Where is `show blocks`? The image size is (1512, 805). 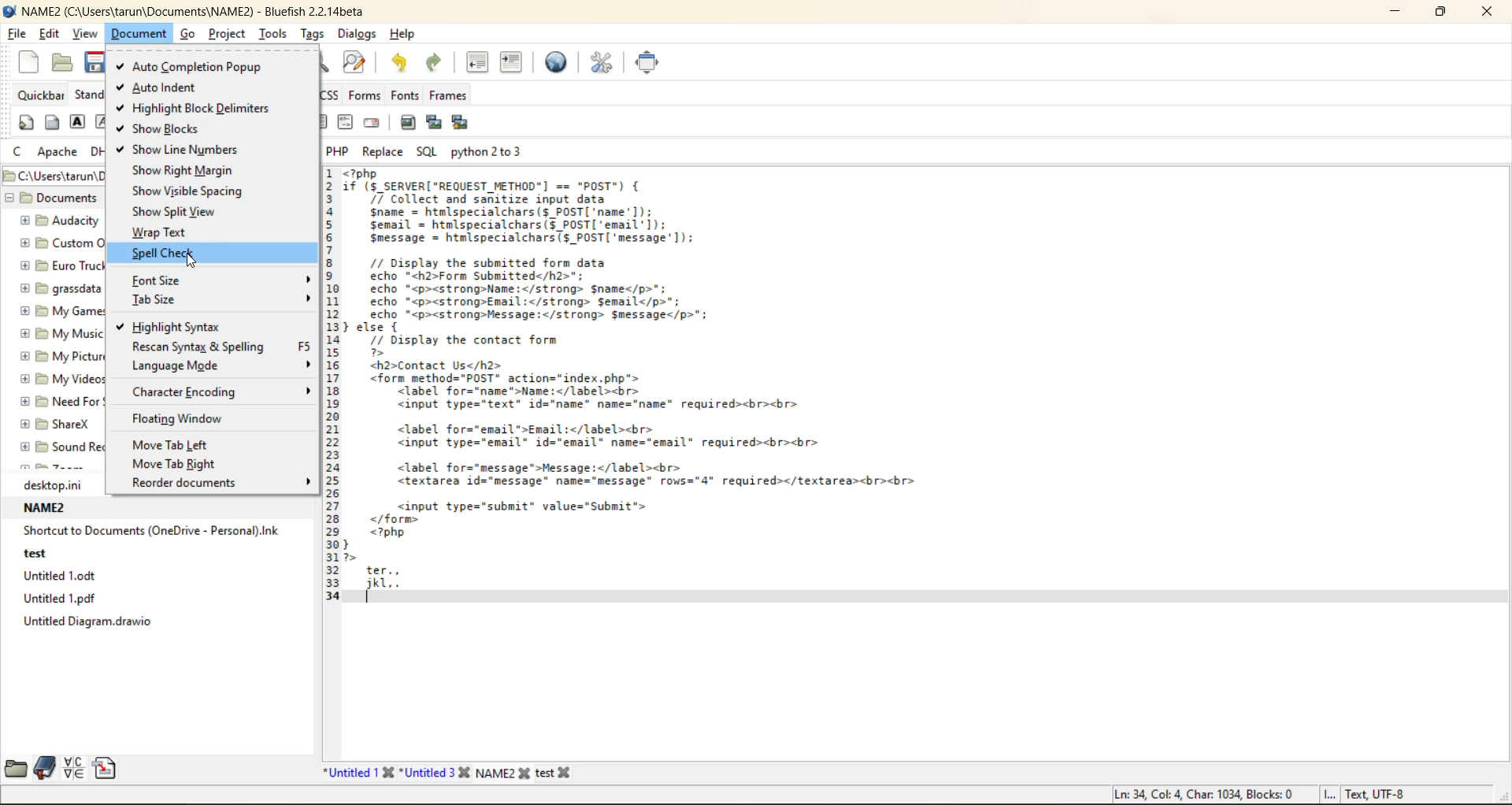 show blocks is located at coordinates (166, 128).